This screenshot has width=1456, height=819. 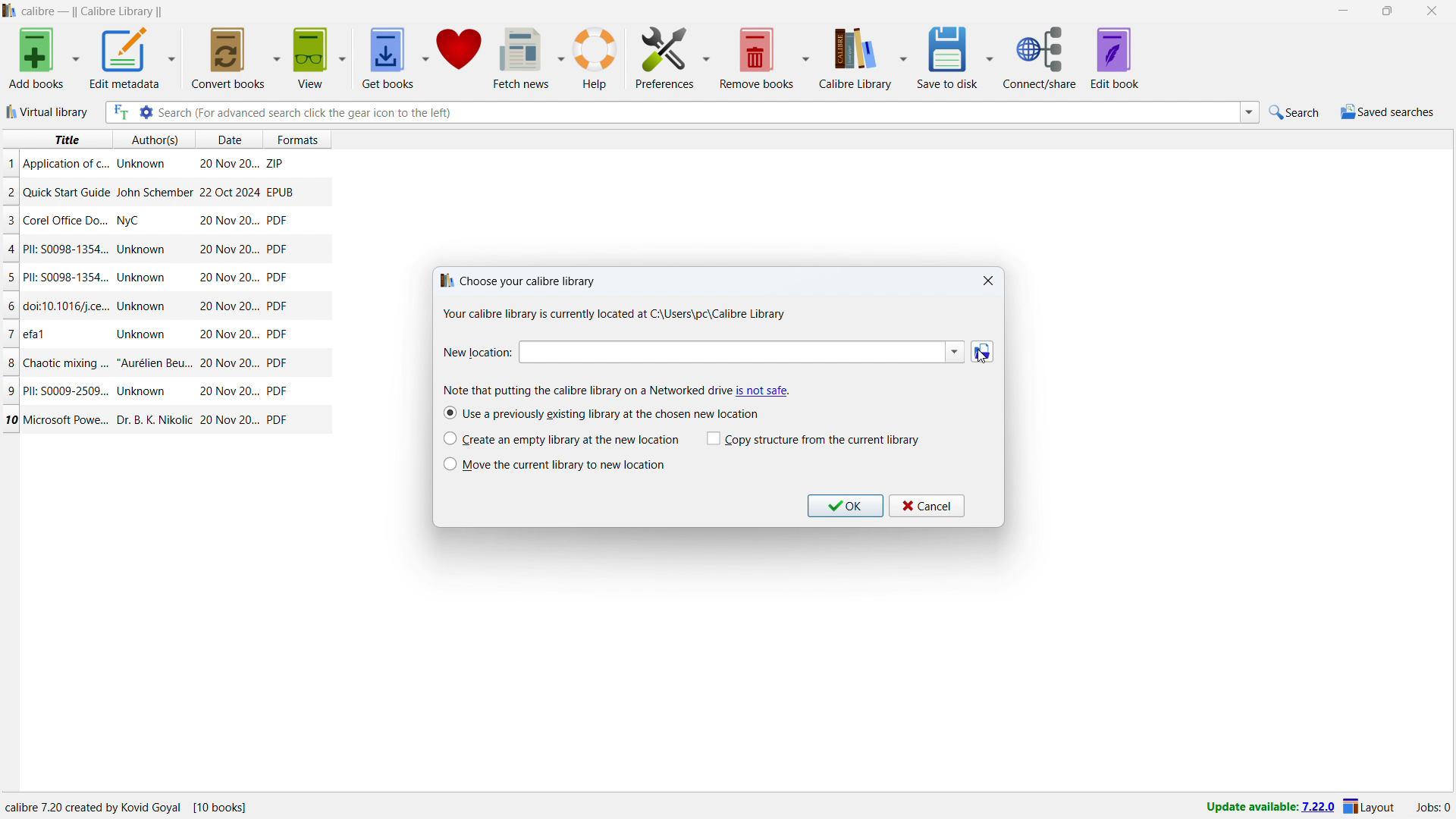 What do you see at coordinates (279, 364) in the screenshot?
I see `PDF` at bounding box center [279, 364].